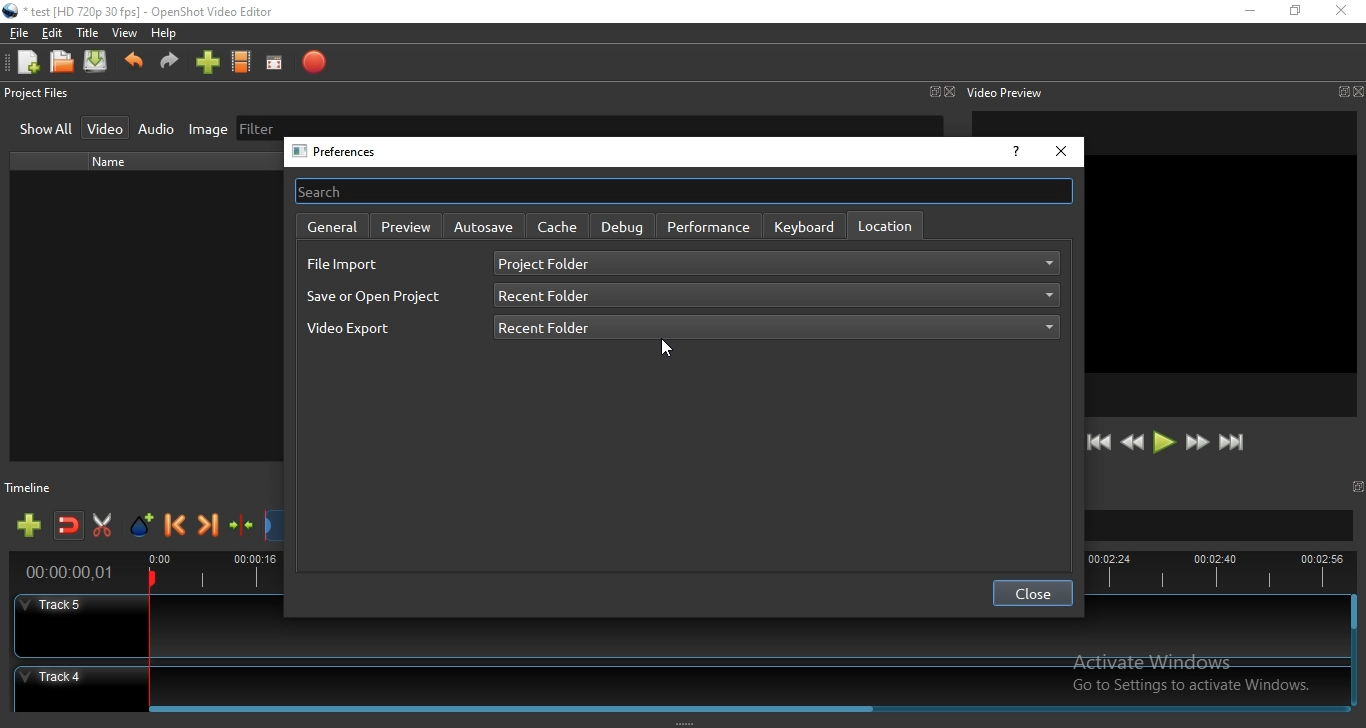 The image size is (1366, 728). I want to click on Enable razor, so click(106, 526).